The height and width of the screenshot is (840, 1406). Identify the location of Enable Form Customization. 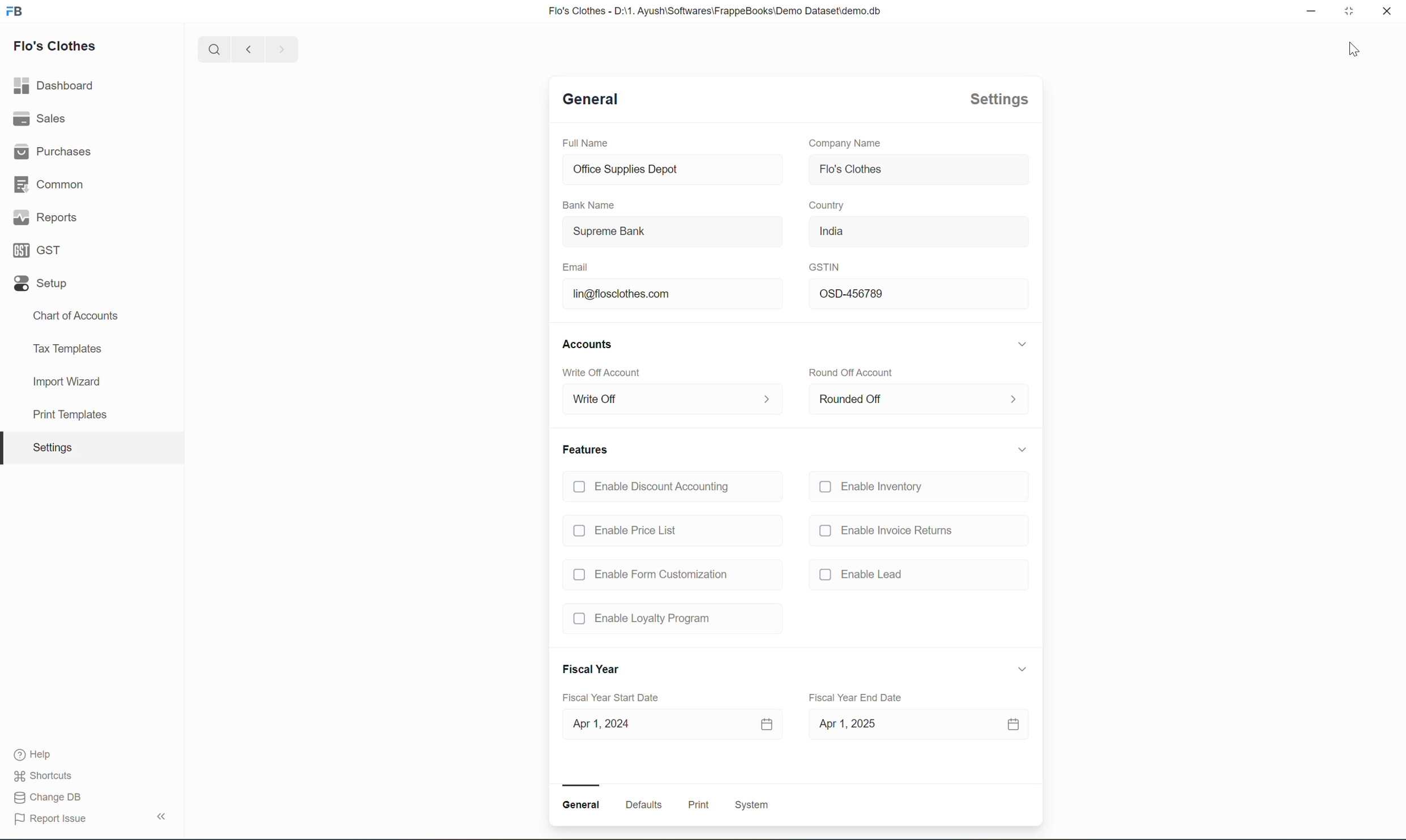
(649, 575).